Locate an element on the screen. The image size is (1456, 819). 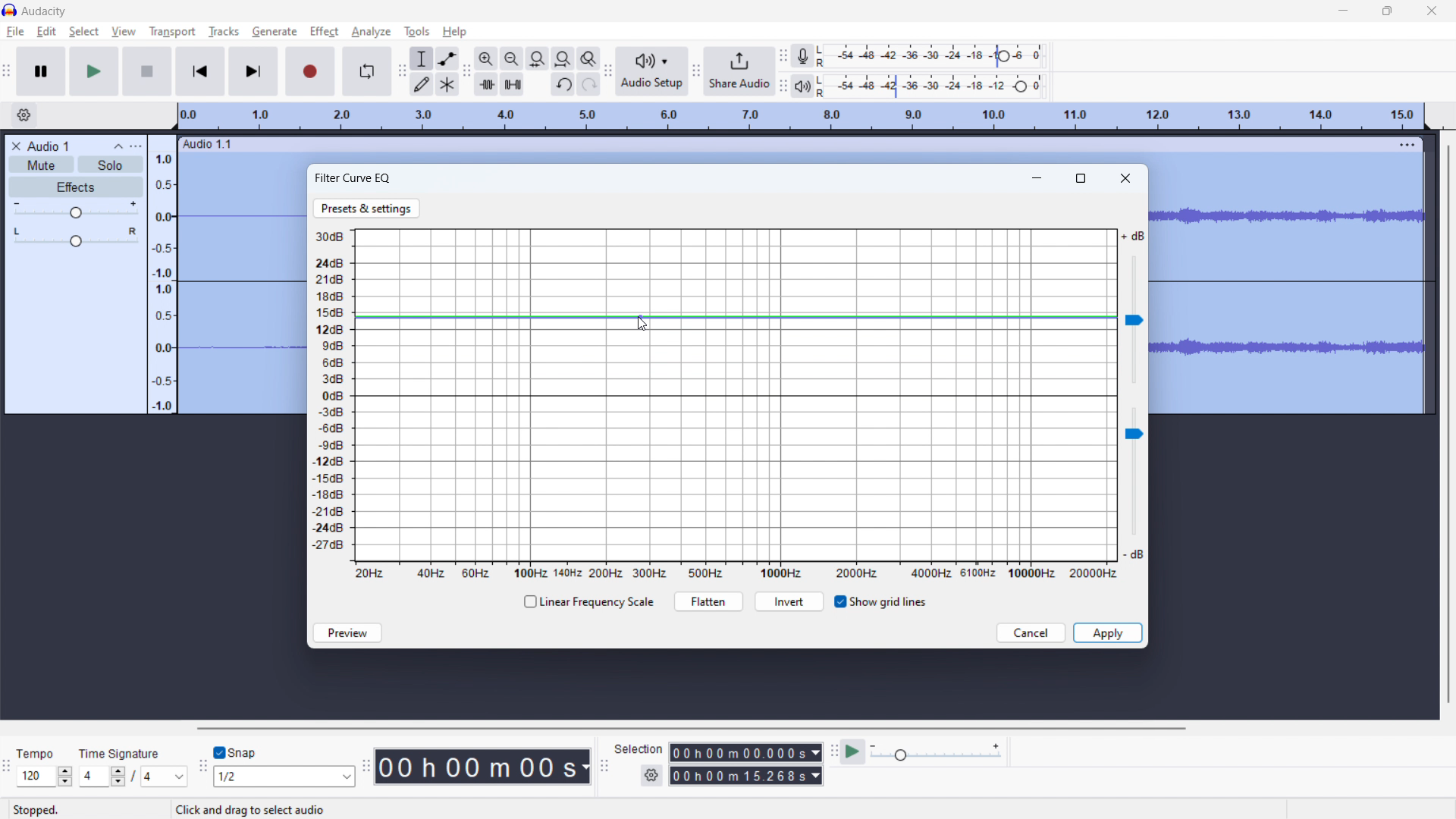
Selection is located at coordinates (639, 747).